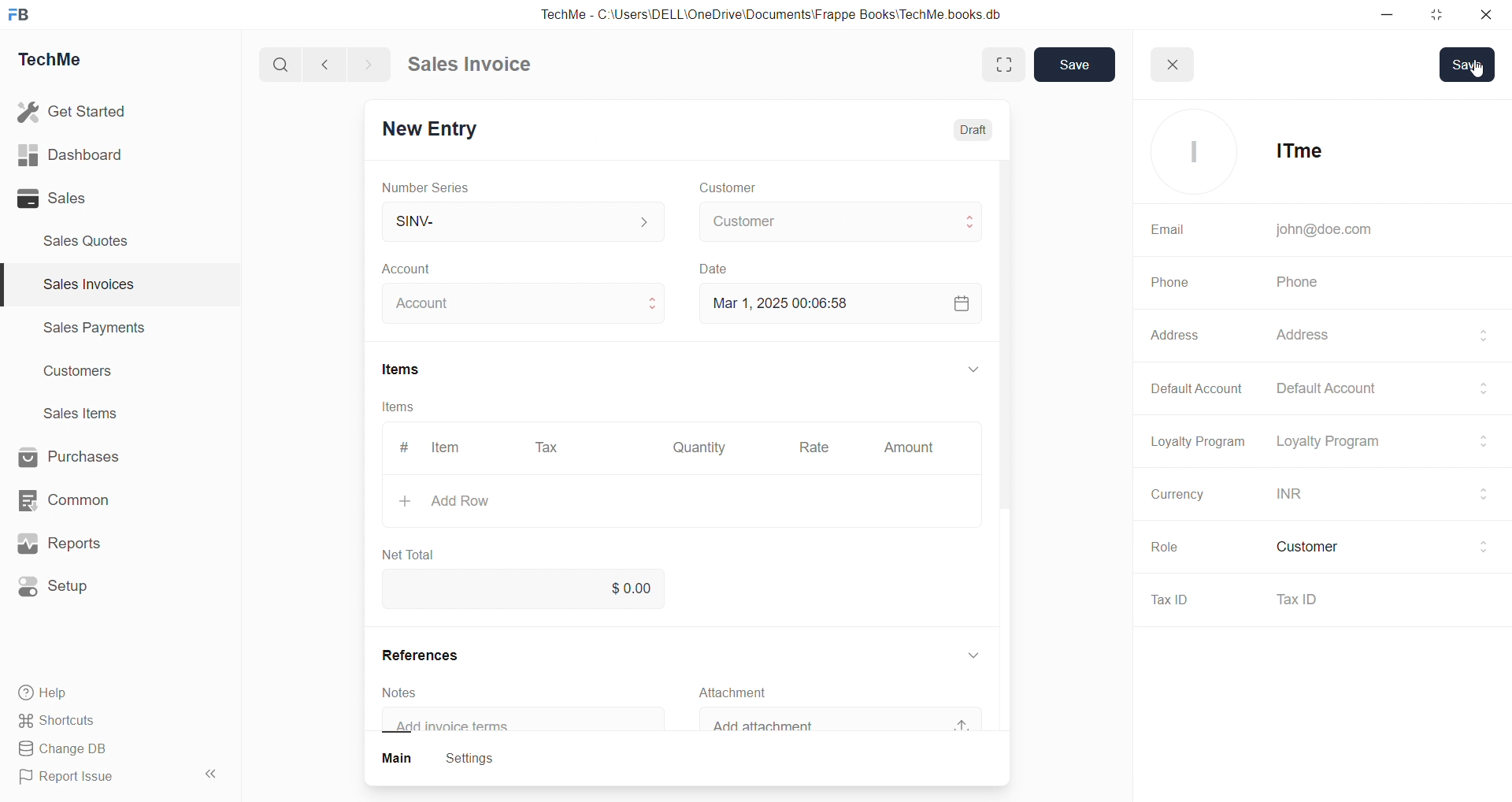 This screenshot has width=1512, height=802. I want to click on Tax ID, so click(1383, 602).